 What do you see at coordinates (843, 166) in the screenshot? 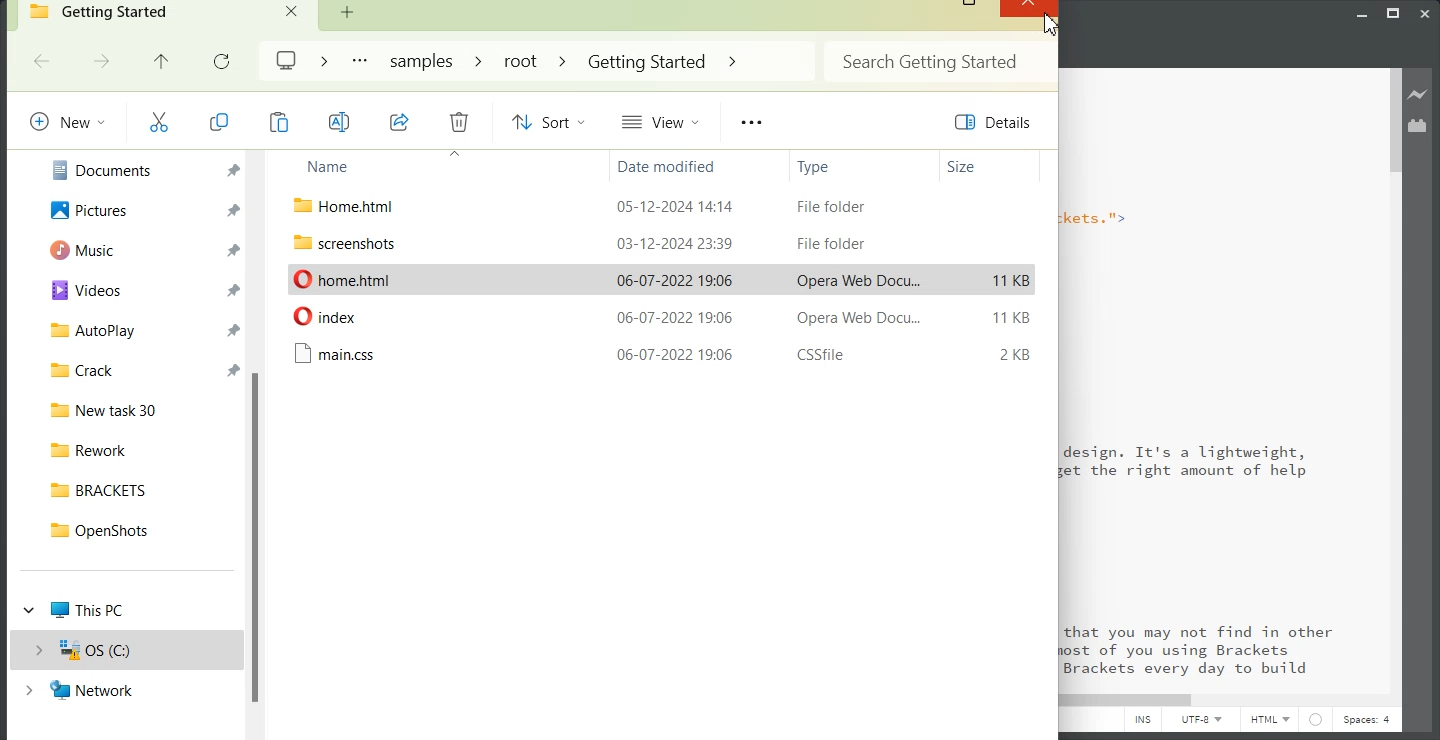
I see `Type` at bounding box center [843, 166].